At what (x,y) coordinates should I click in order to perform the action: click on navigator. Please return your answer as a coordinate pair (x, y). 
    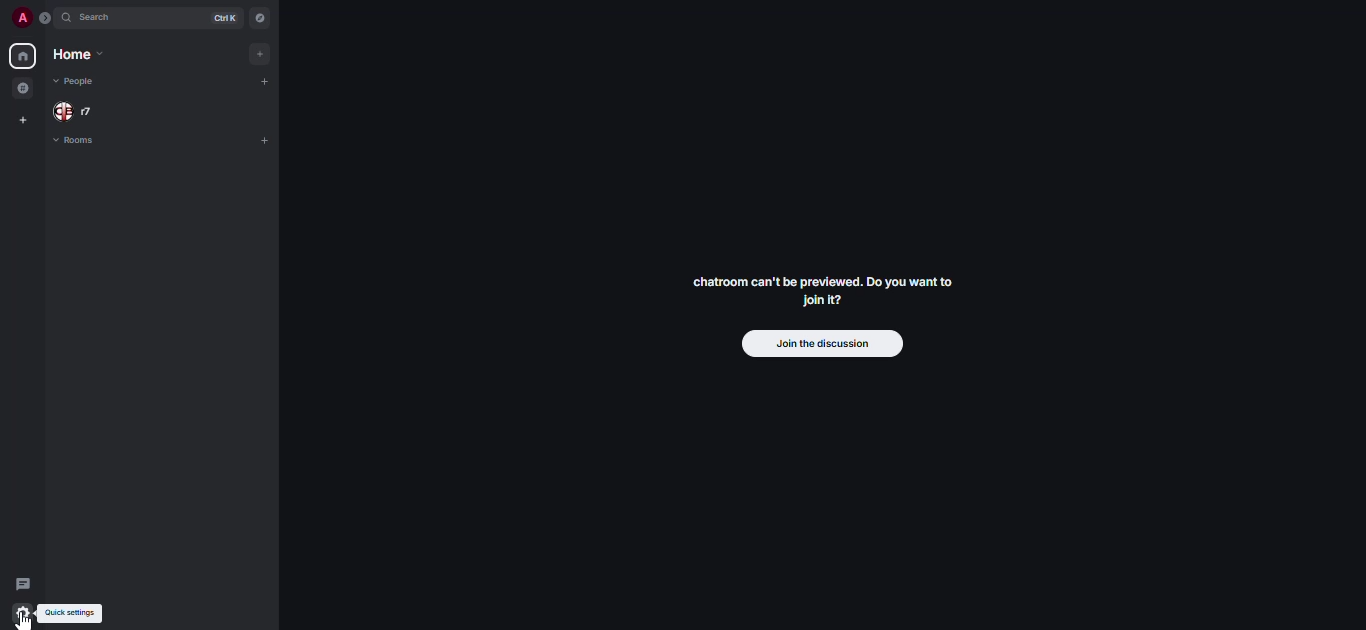
    Looking at the image, I should click on (261, 16).